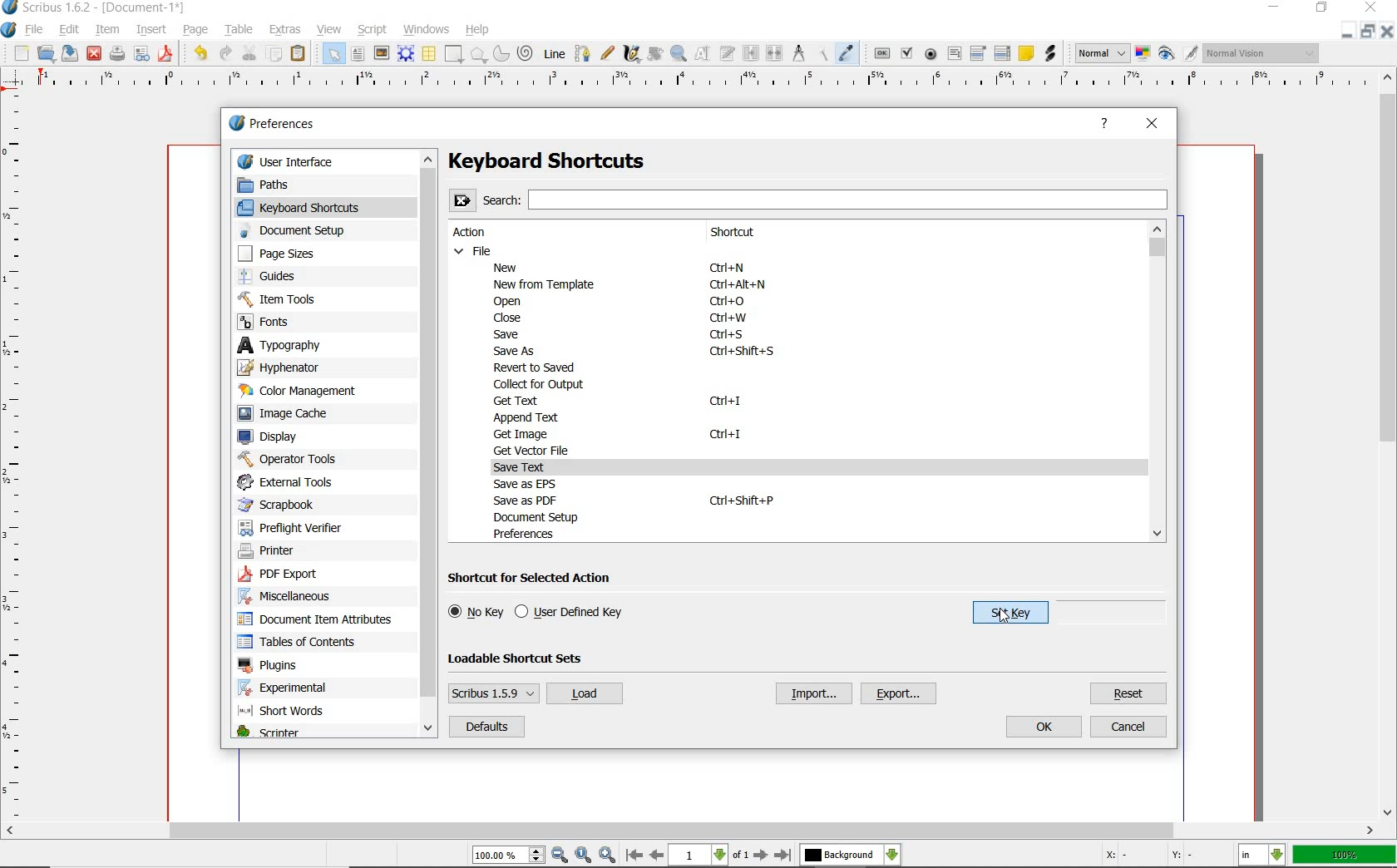 This screenshot has width=1397, height=868. Describe the element at coordinates (358, 53) in the screenshot. I see `text frame` at that location.